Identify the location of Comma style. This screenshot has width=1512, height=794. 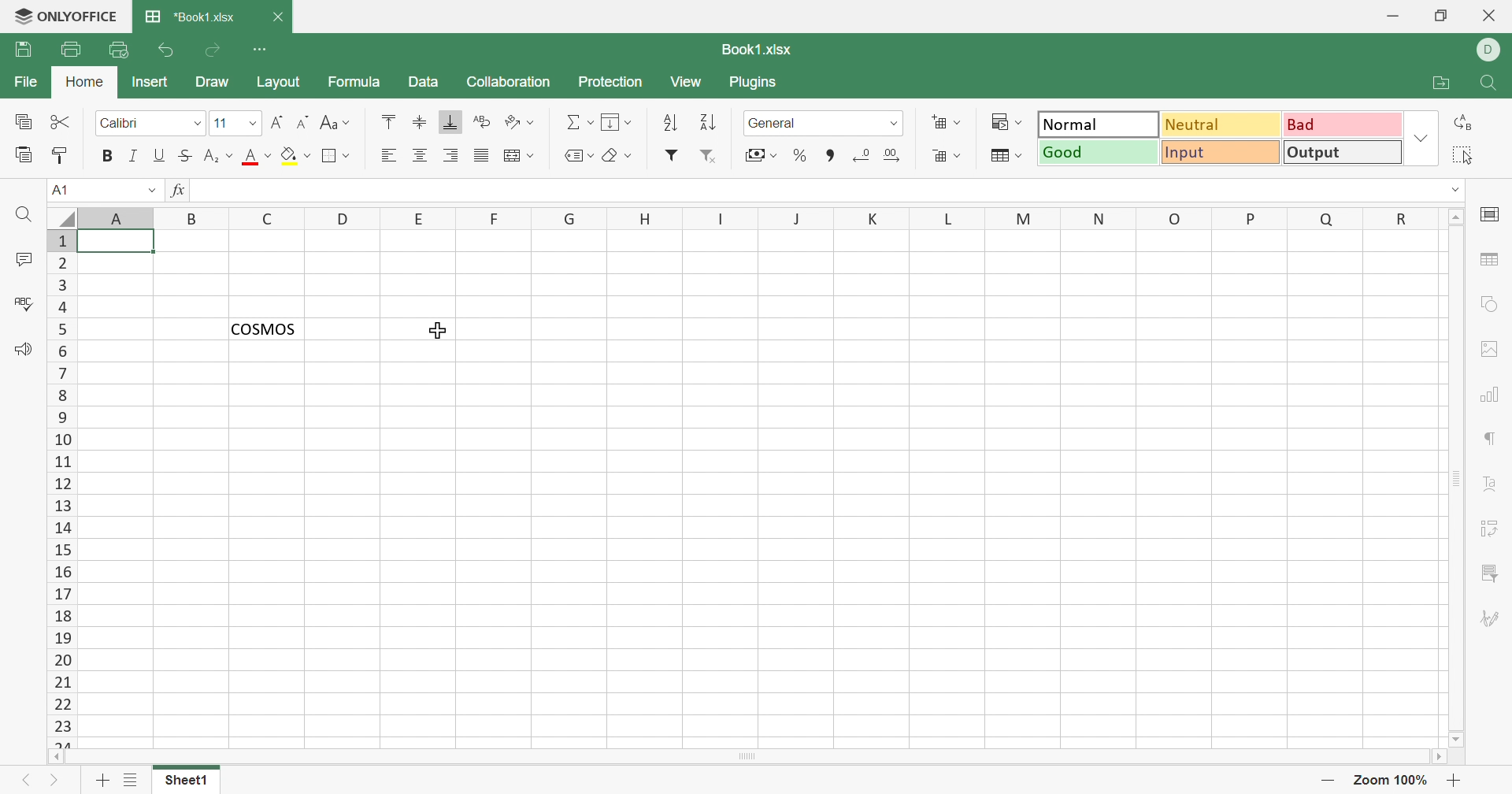
(834, 156).